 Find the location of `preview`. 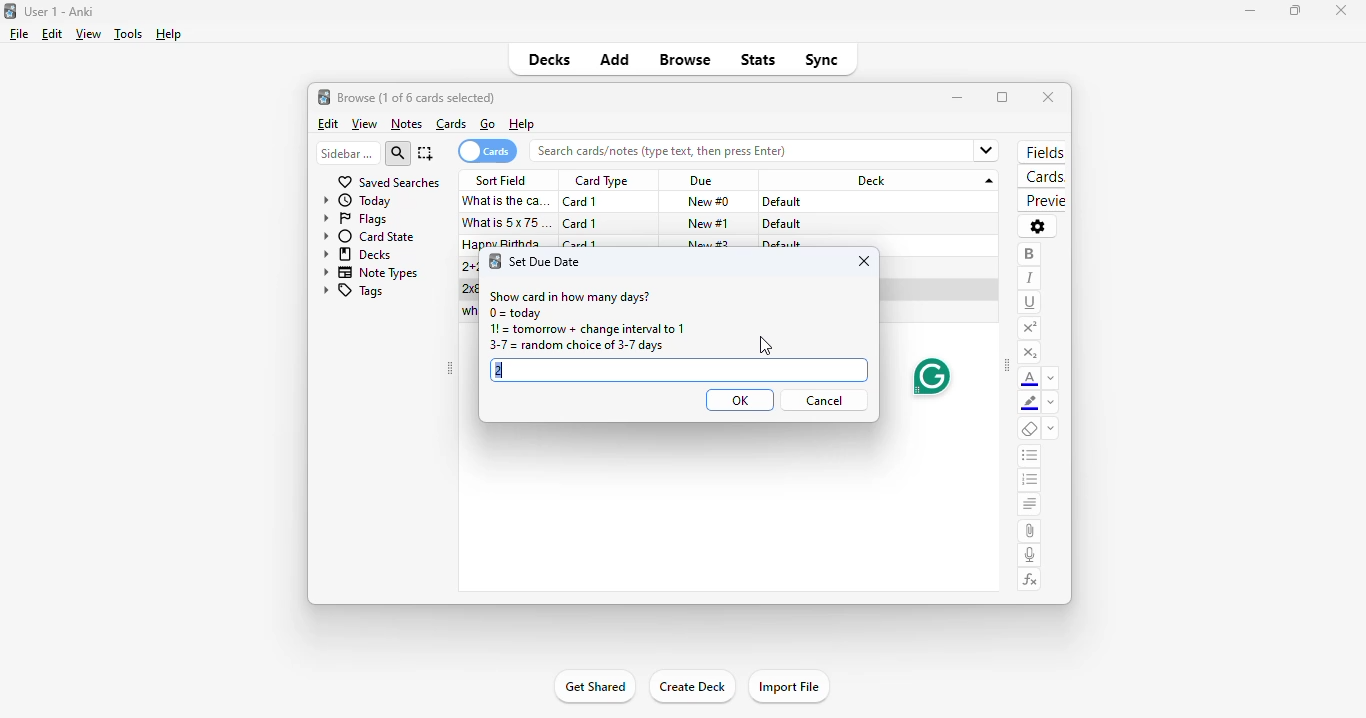

preview is located at coordinates (1042, 201).